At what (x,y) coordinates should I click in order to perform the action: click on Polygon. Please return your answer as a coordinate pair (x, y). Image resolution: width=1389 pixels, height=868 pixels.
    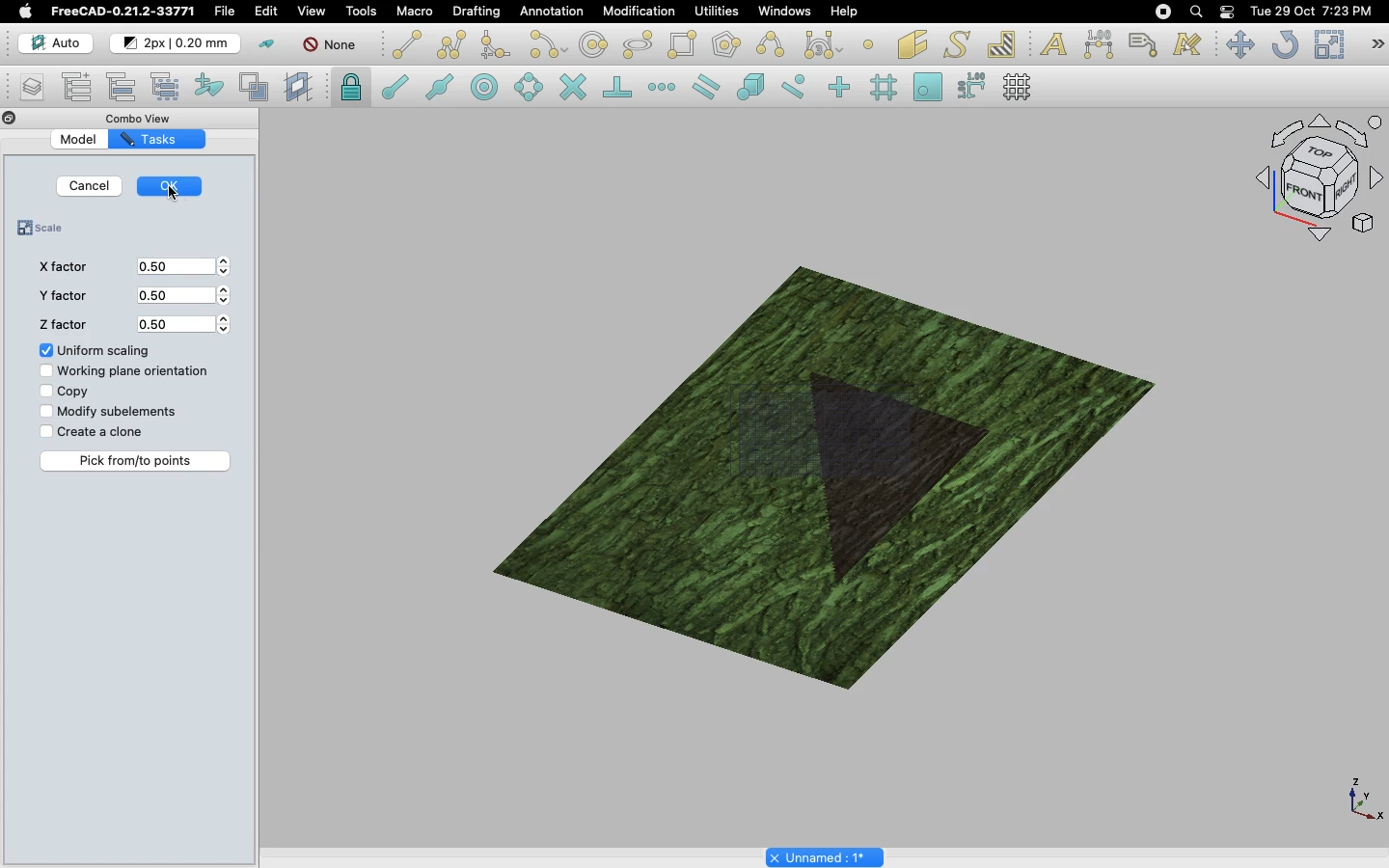
    Looking at the image, I should click on (724, 45).